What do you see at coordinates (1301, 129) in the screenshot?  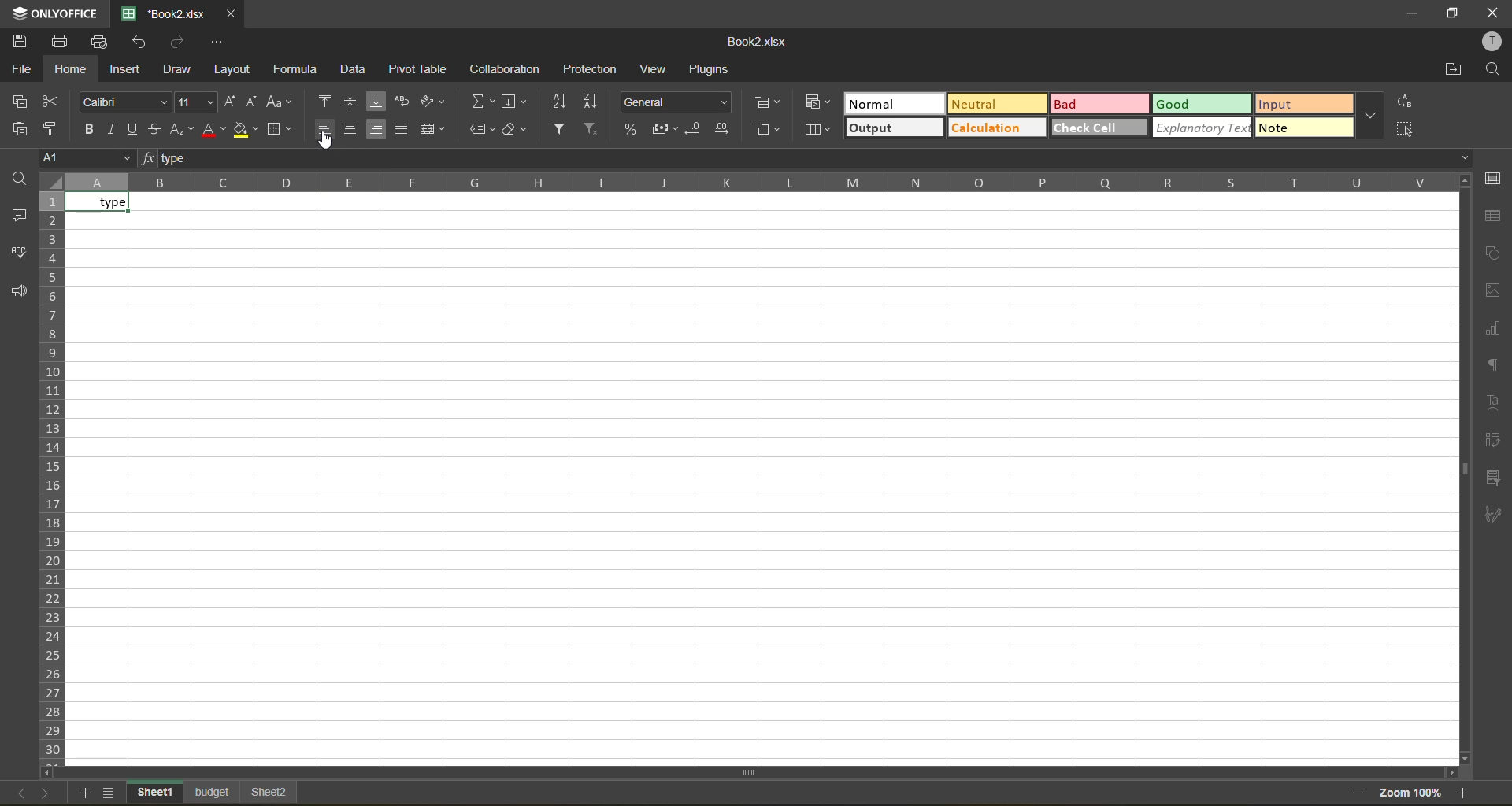 I see `more` at bounding box center [1301, 129].